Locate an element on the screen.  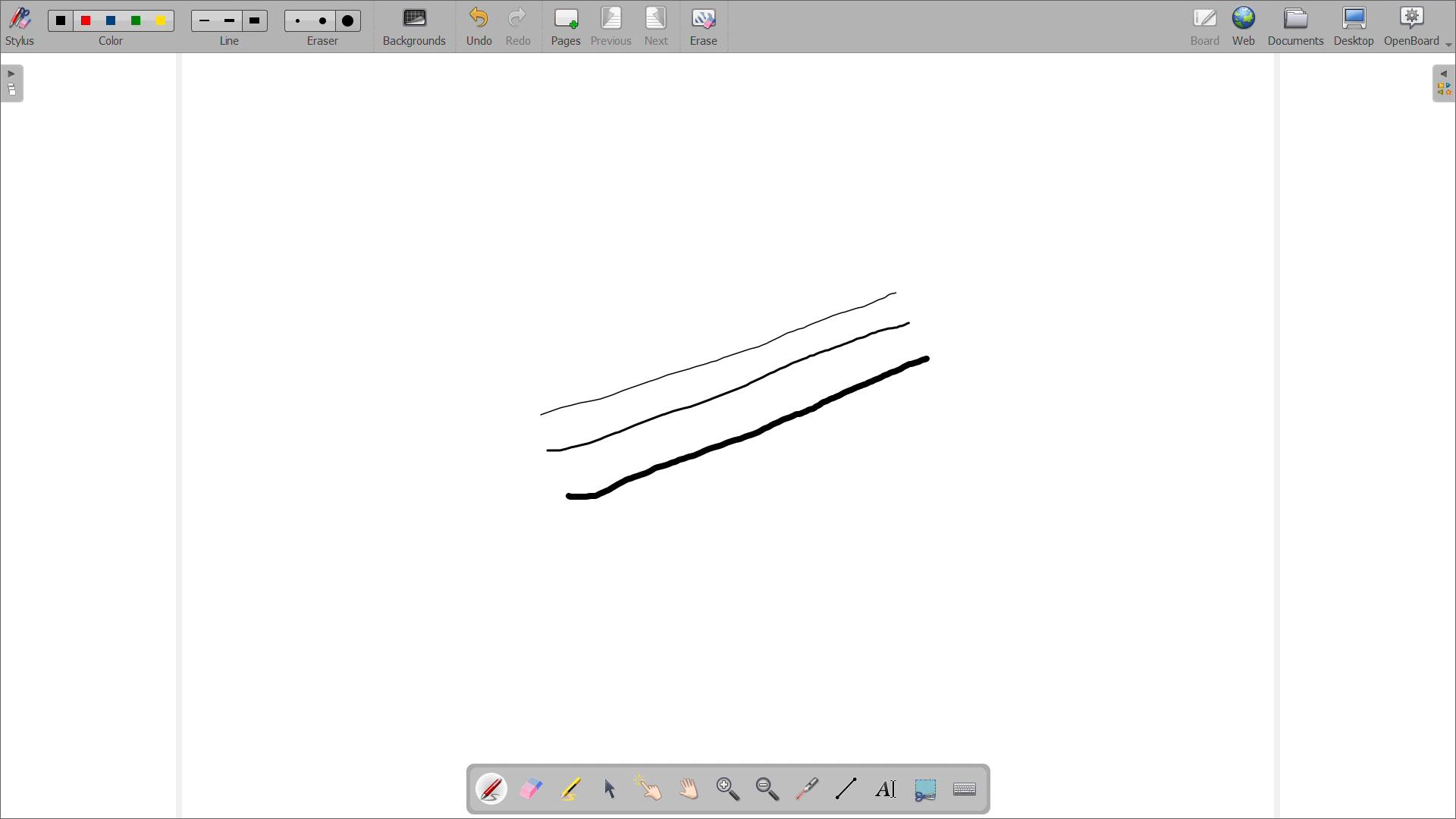
virtual keyboard is located at coordinates (966, 790).